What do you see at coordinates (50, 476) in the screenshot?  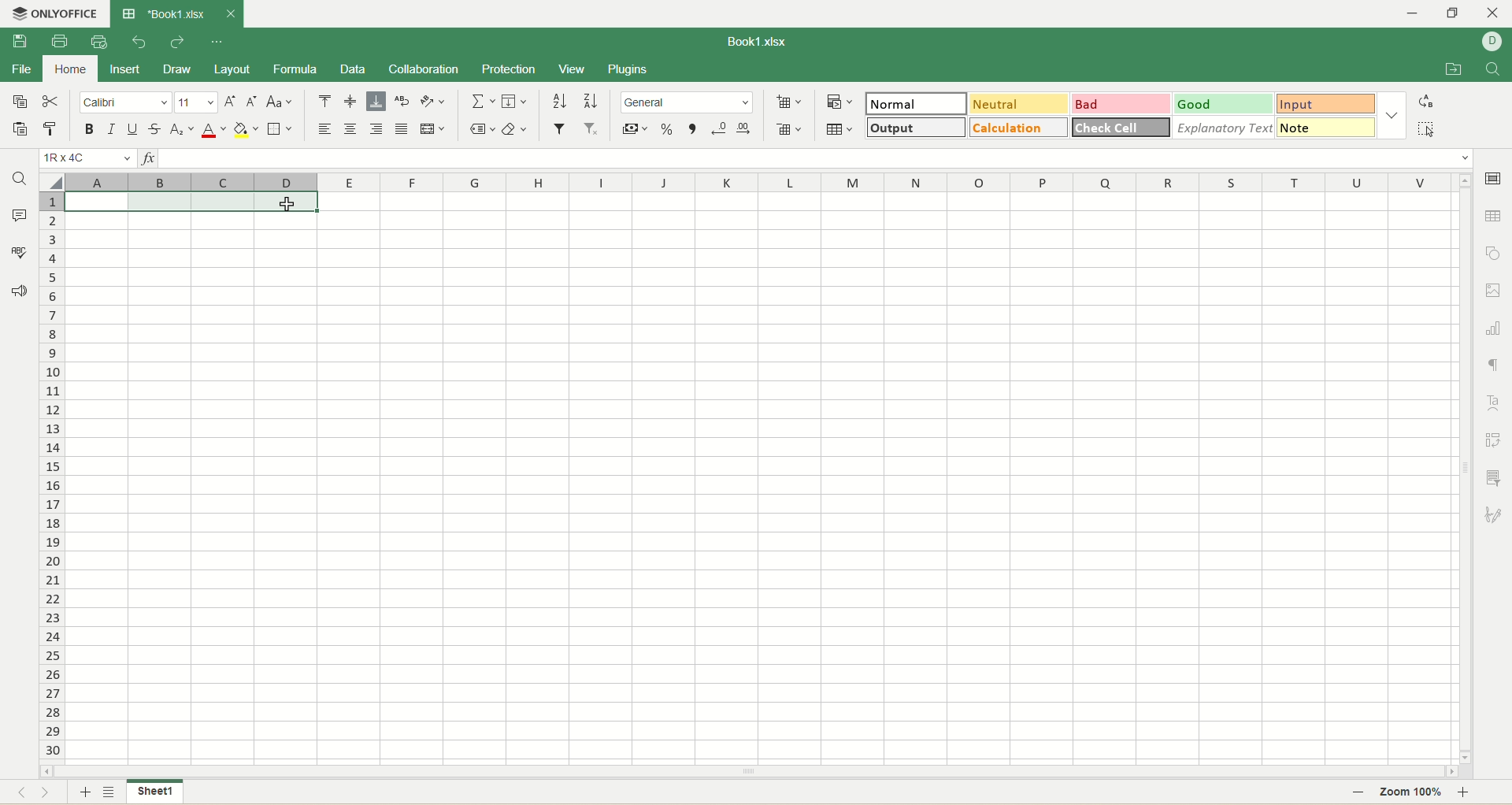 I see `row number` at bounding box center [50, 476].